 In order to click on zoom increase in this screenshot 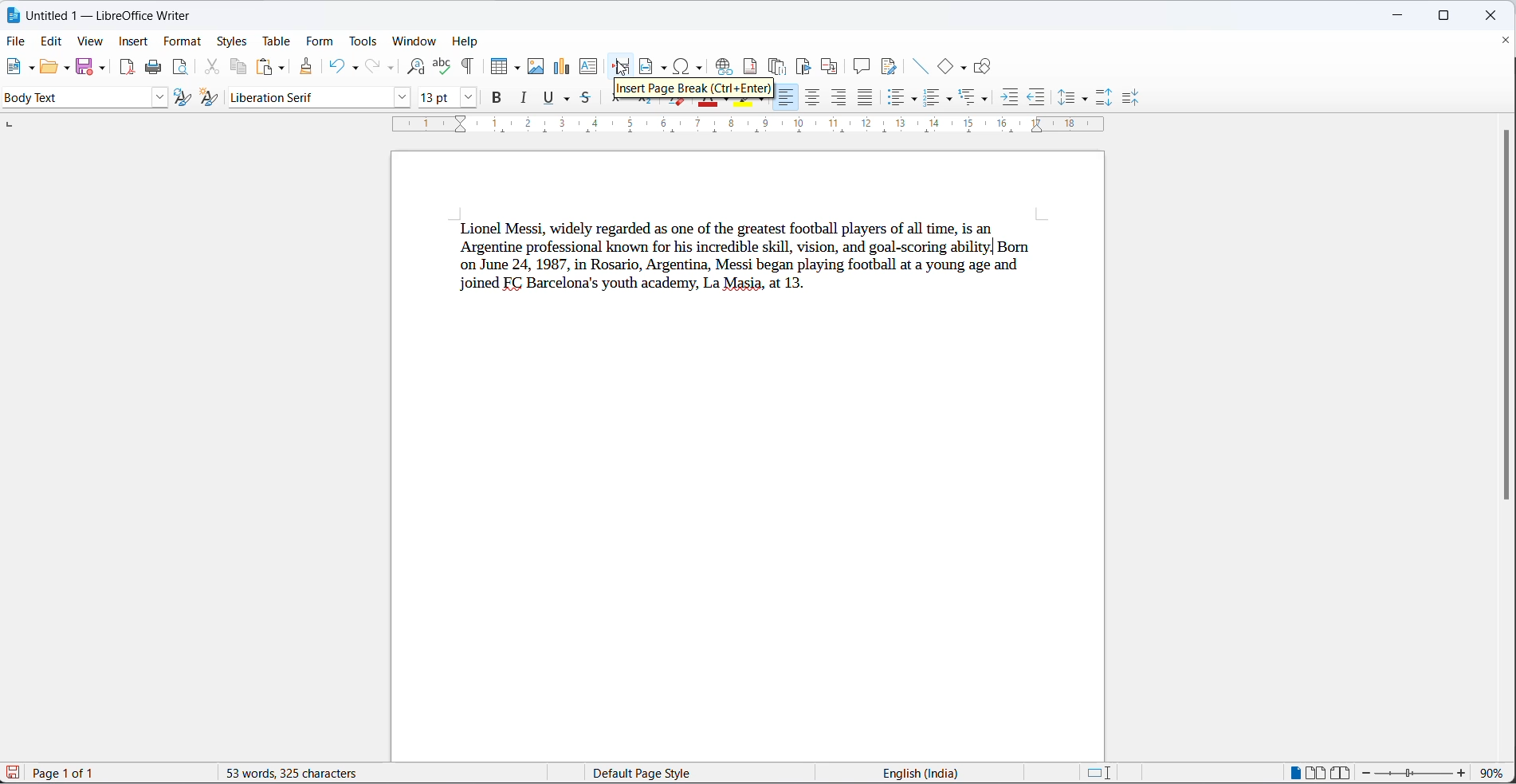, I will do `click(1463, 774)`.